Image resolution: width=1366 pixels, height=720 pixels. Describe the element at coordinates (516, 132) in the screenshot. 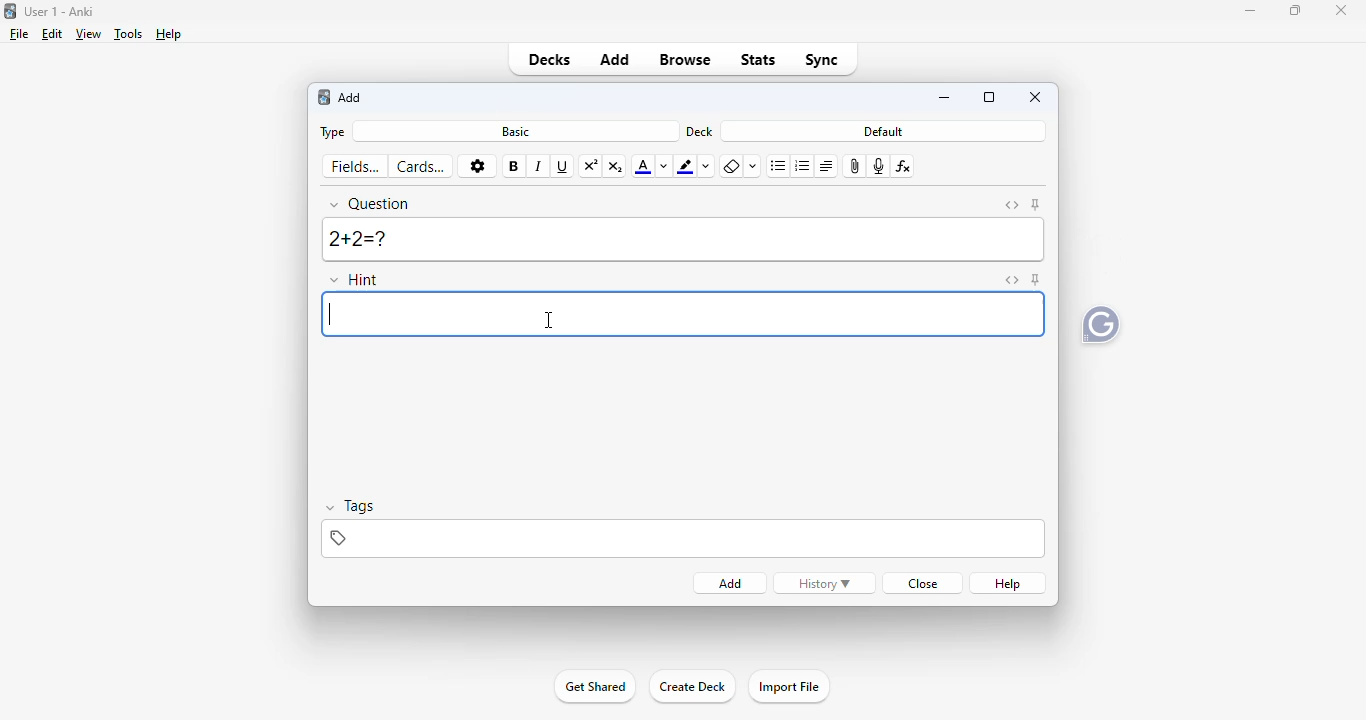

I see `basic` at that location.